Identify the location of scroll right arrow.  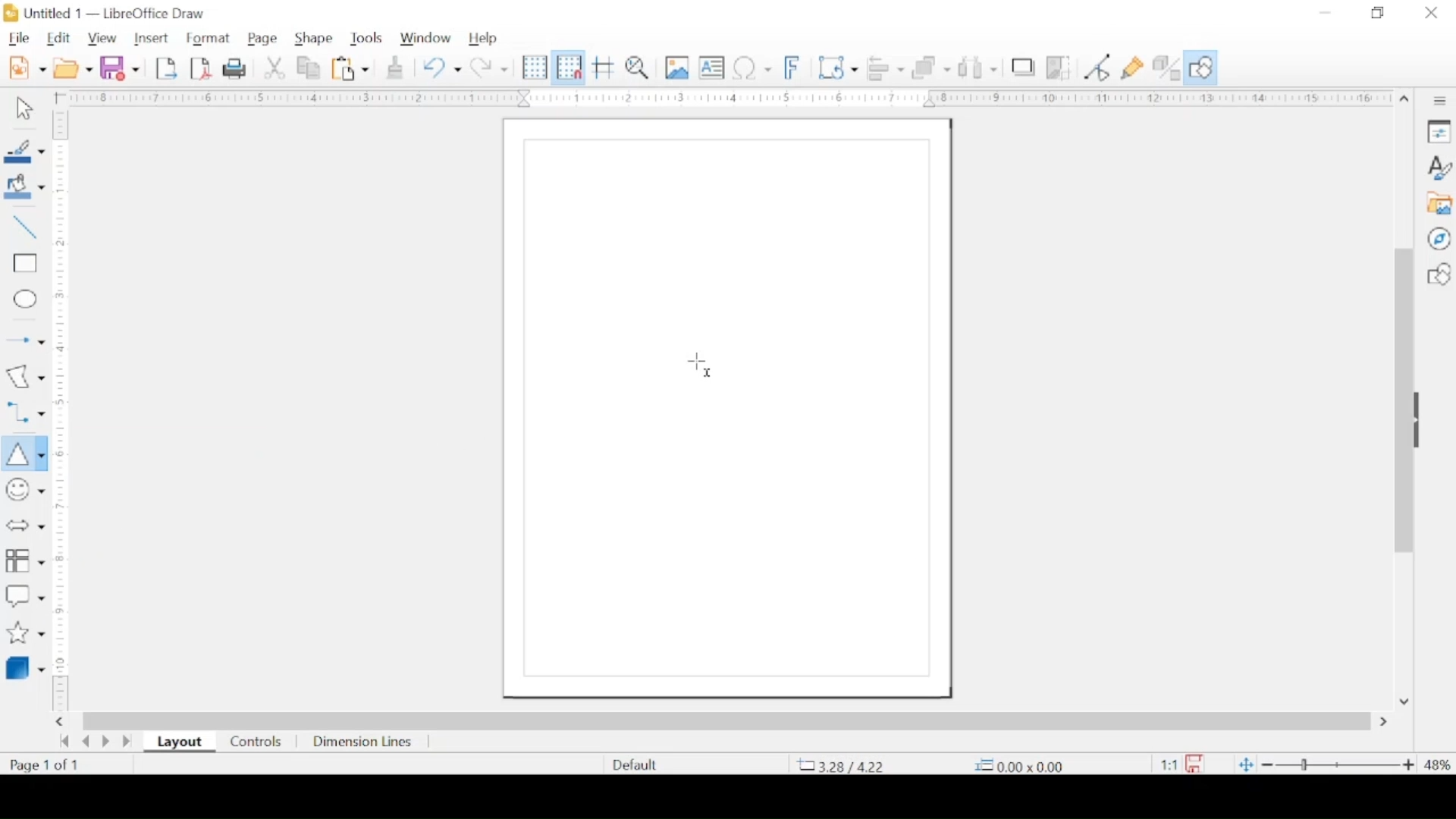
(1386, 722).